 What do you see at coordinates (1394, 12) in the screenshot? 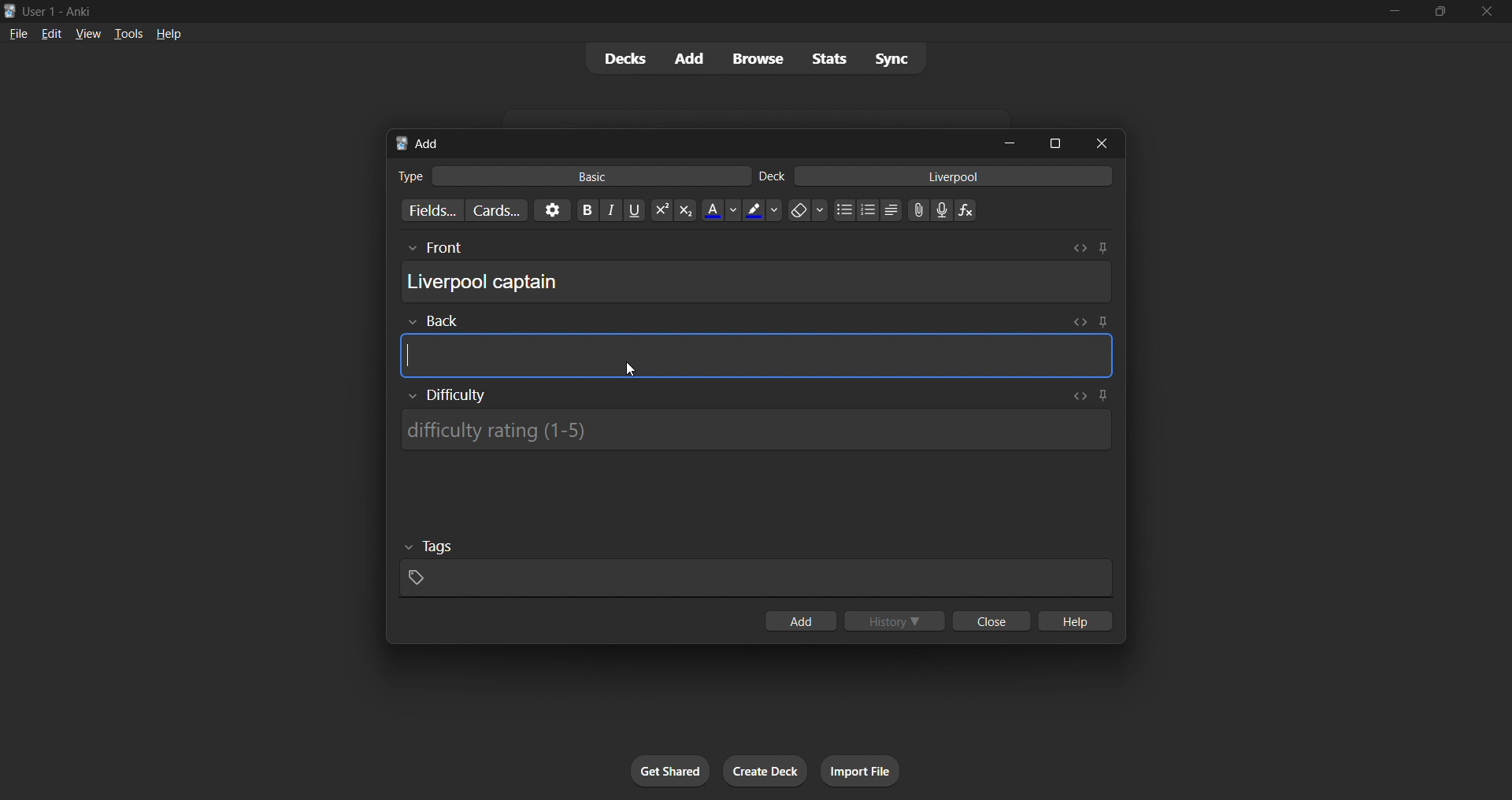
I see `minimize` at bounding box center [1394, 12].